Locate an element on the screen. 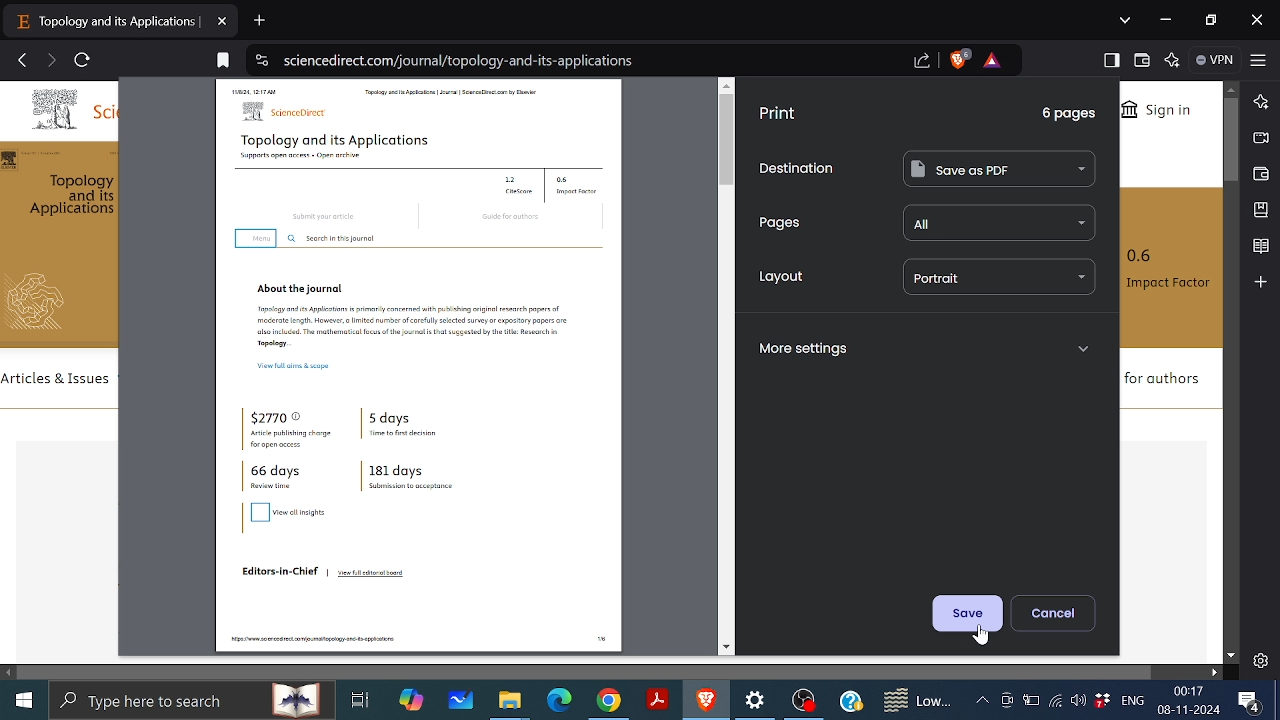 The height and width of the screenshot is (720, 1280). Weather notifications is located at coordinates (914, 701).